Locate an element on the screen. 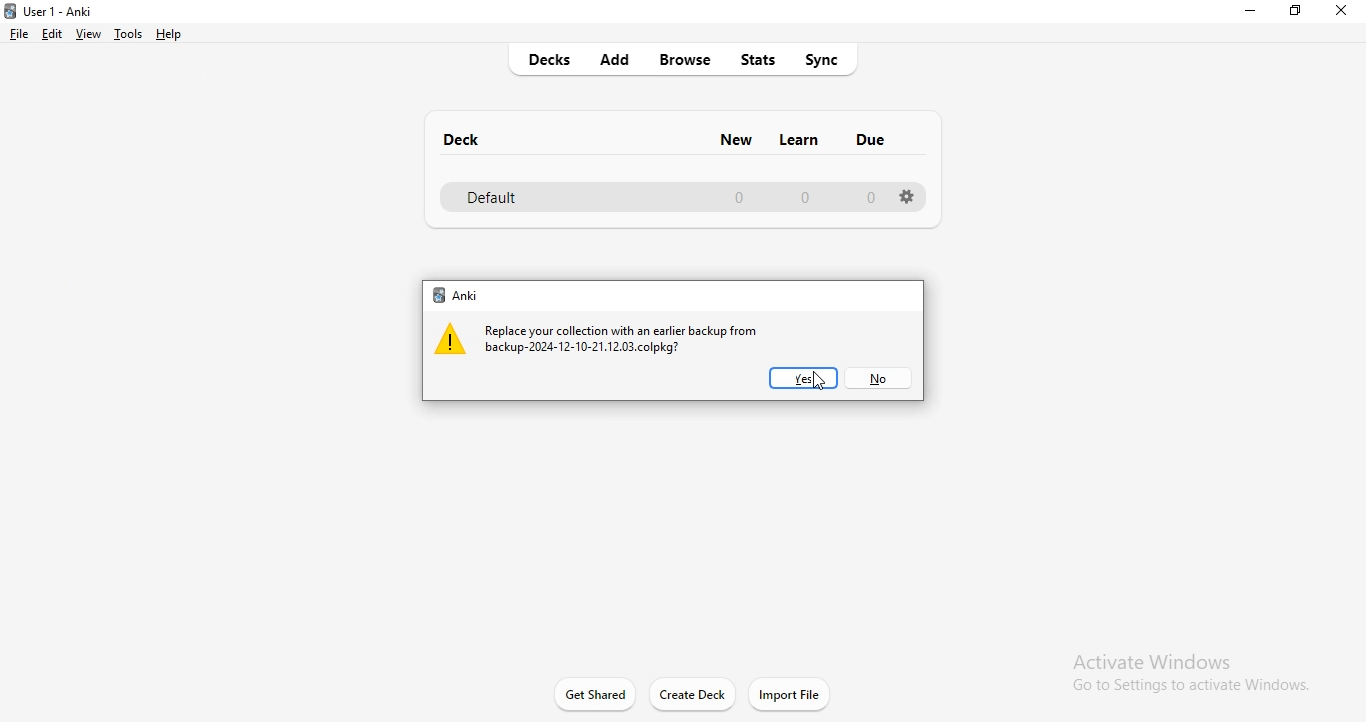  view is located at coordinates (88, 33).